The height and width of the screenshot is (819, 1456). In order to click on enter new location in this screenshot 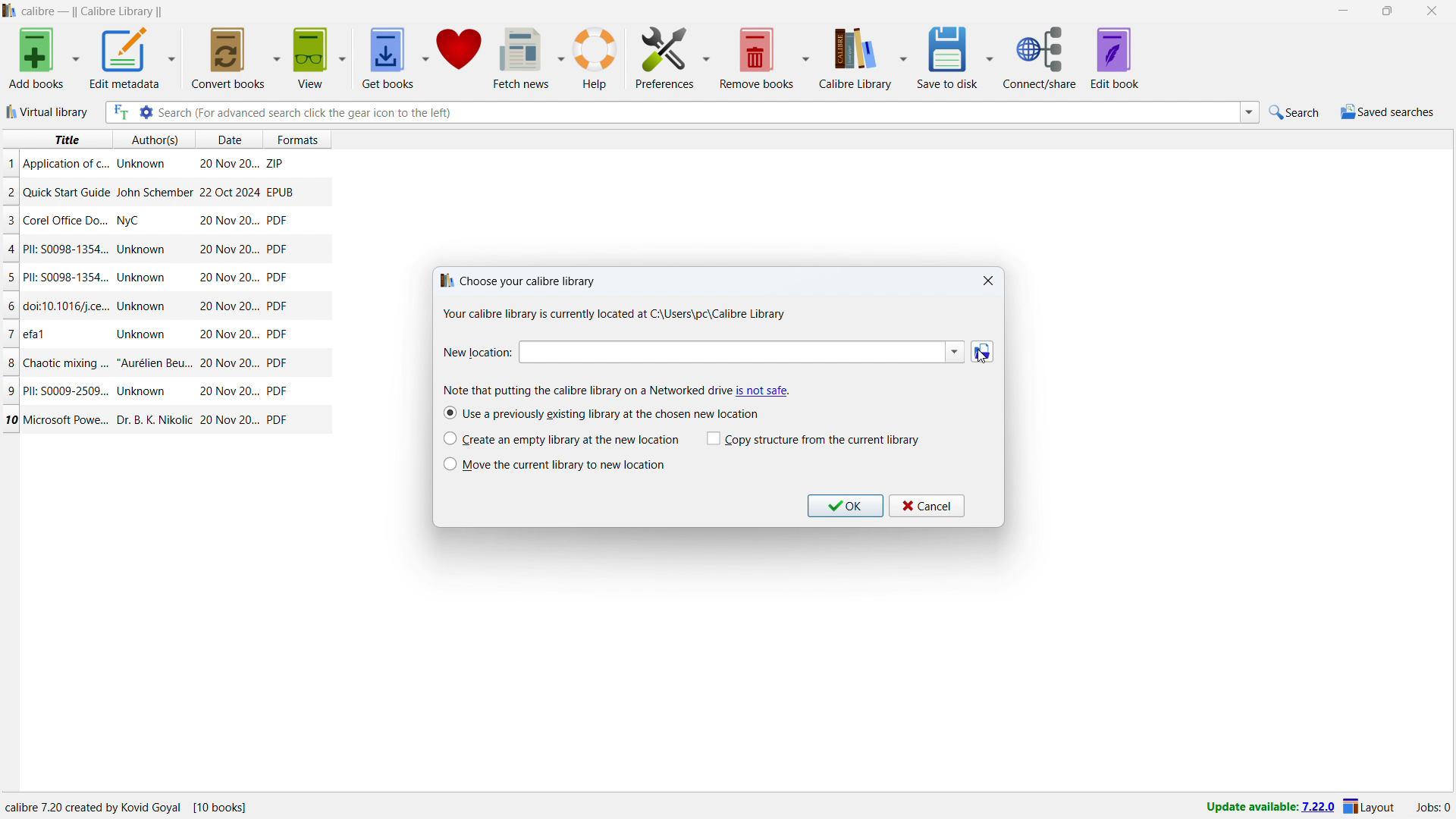, I will do `click(731, 352)`.